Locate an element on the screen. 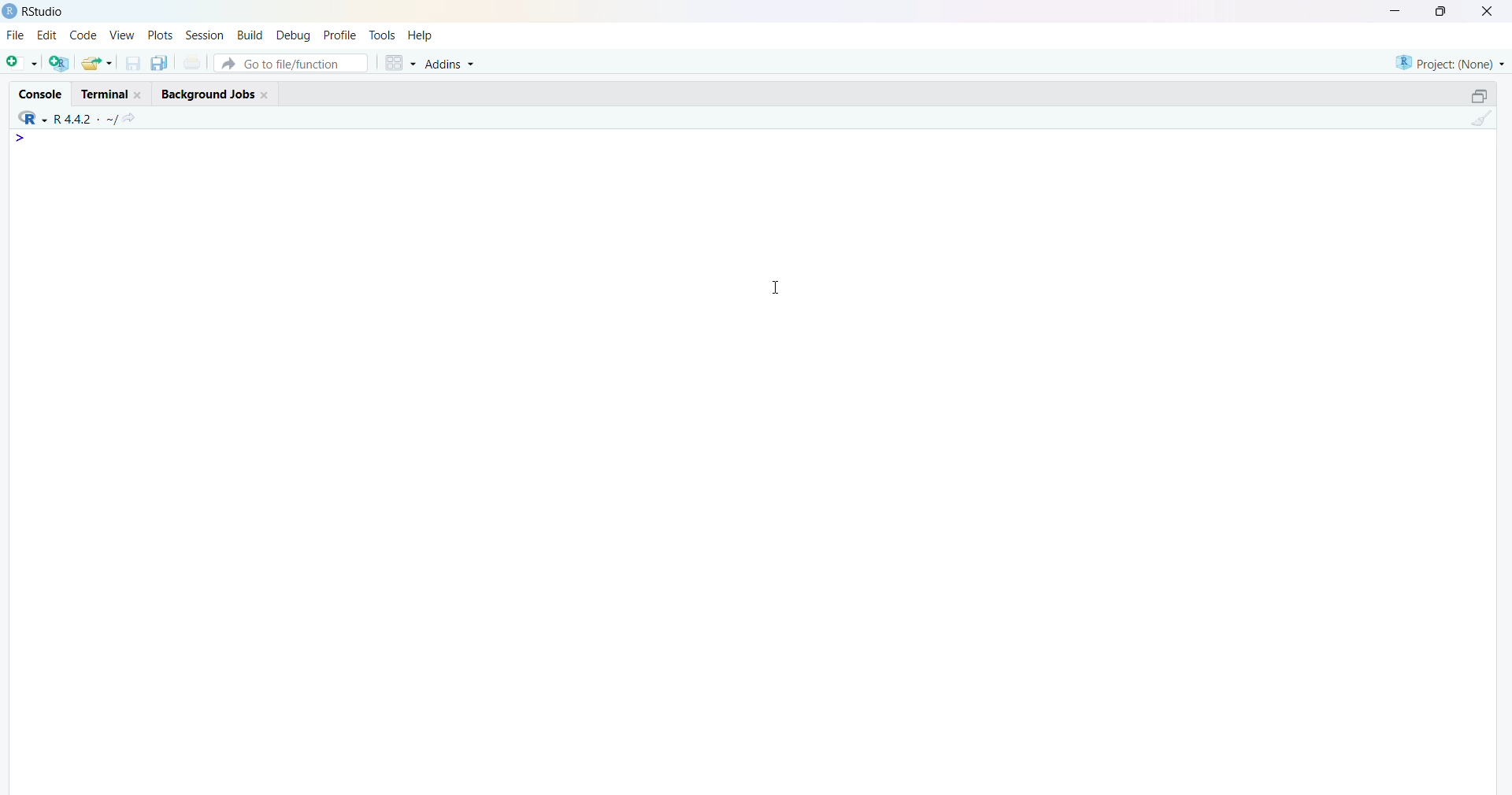 Image resolution: width=1512 pixels, height=795 pixels. minimise is located at coordinates (1397, 9).